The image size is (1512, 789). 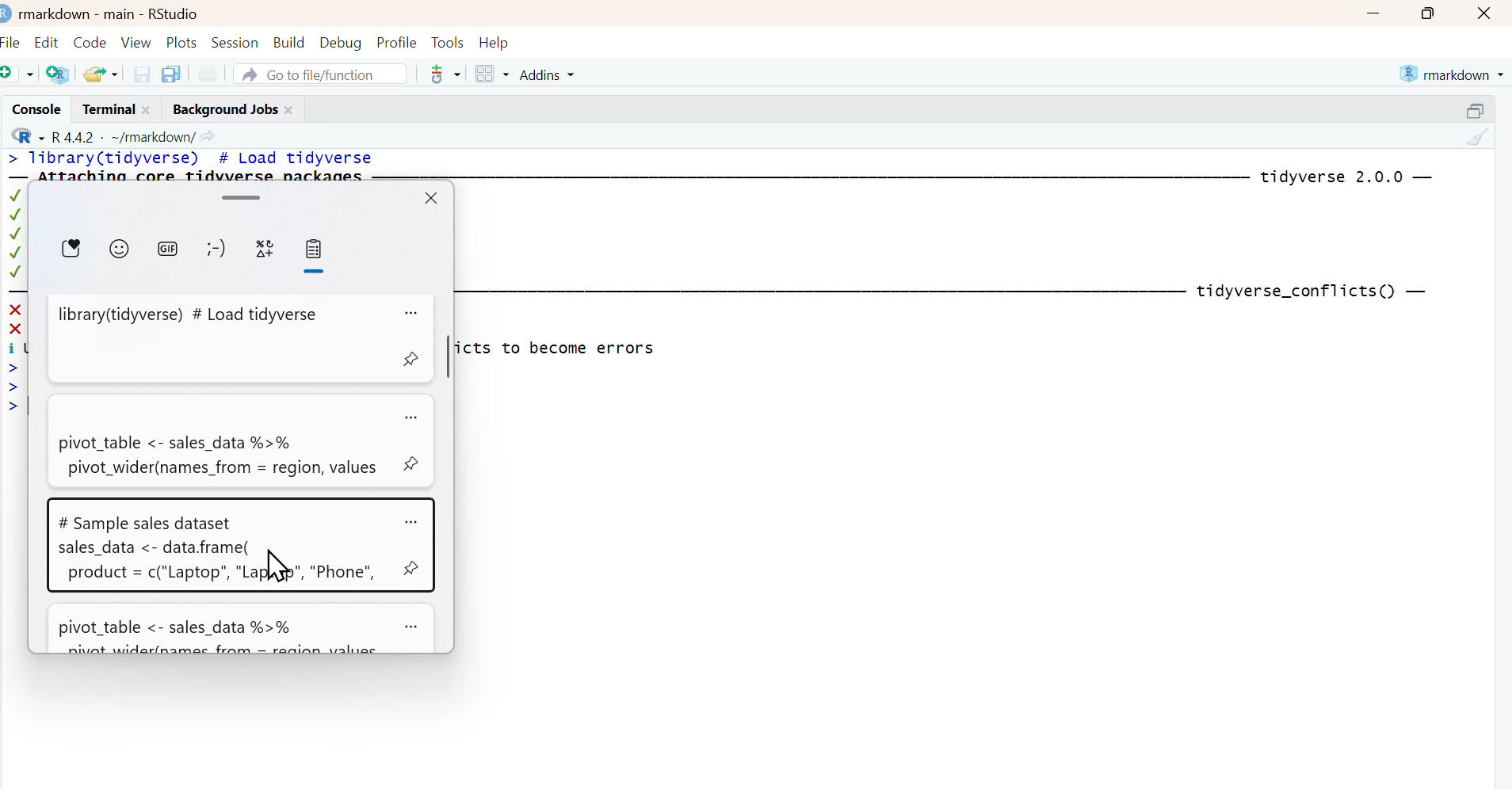 What do you see at coordinates (1487, 13) in the screenshot?
I see `close` at bounding box center [1487, 13].